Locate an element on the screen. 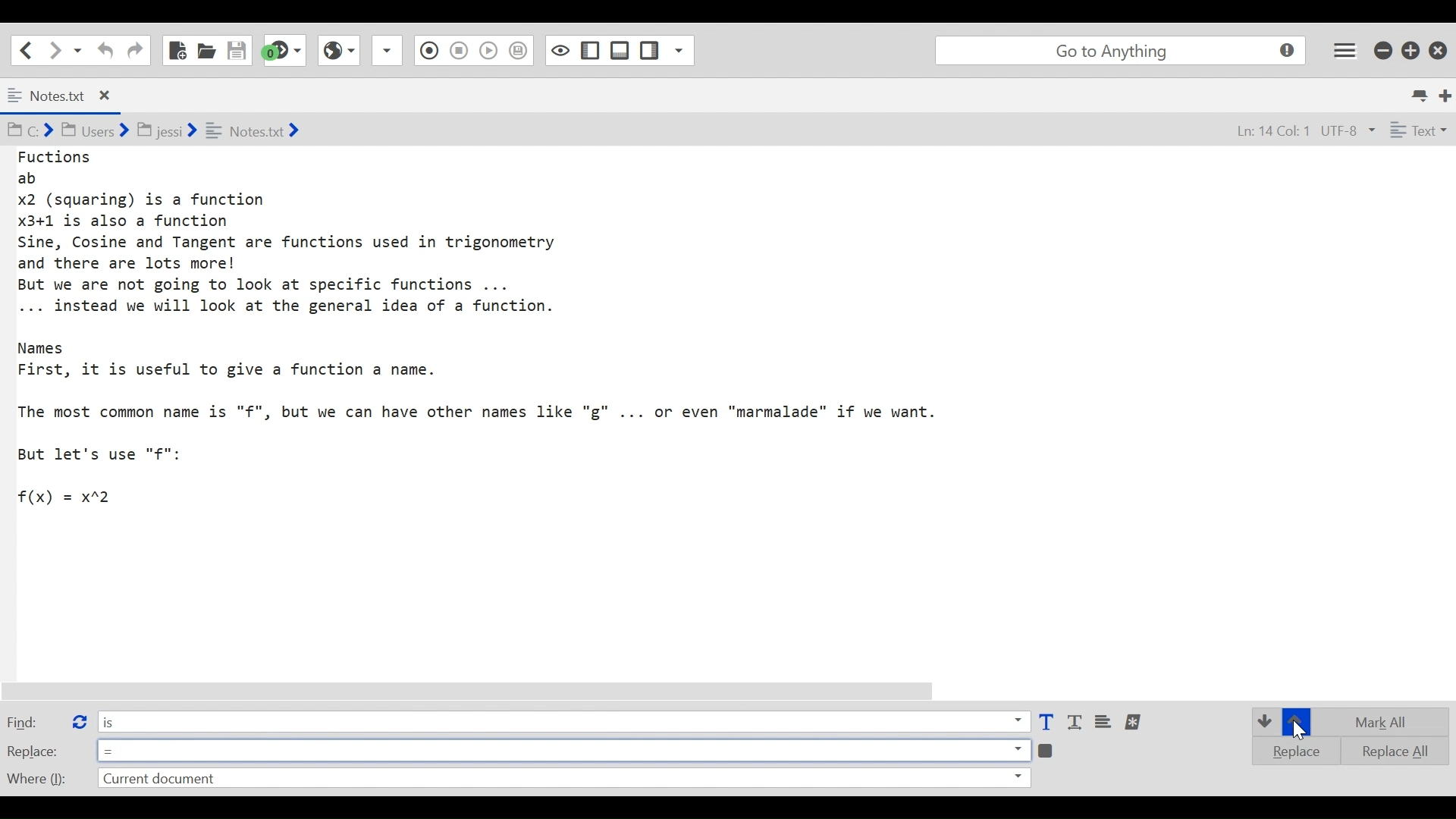 Image resolution: width=1456 pixels, height=819 pixels. Recent locations is located at coordinates (78, 49).